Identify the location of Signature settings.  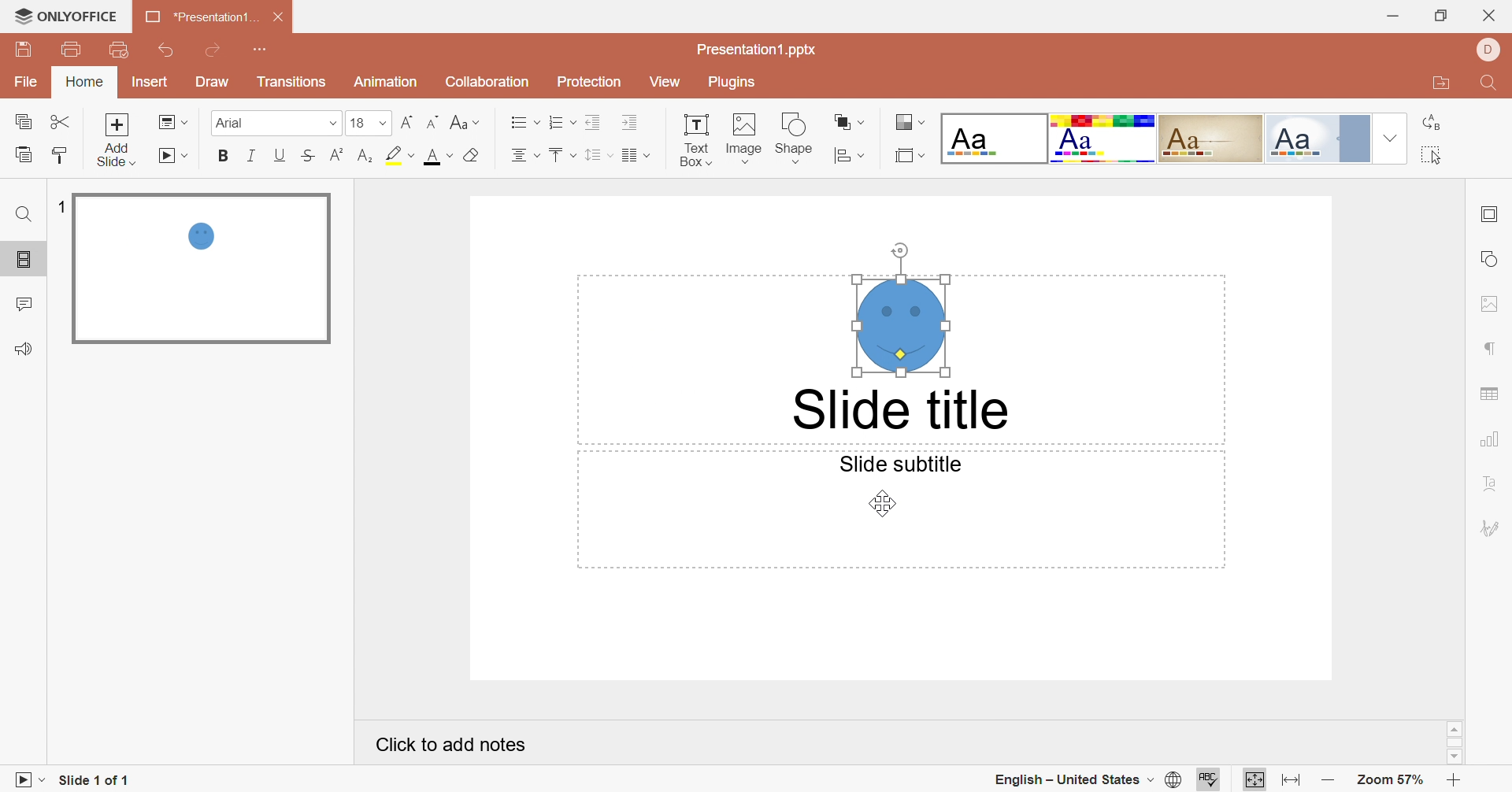
(1492, 526).